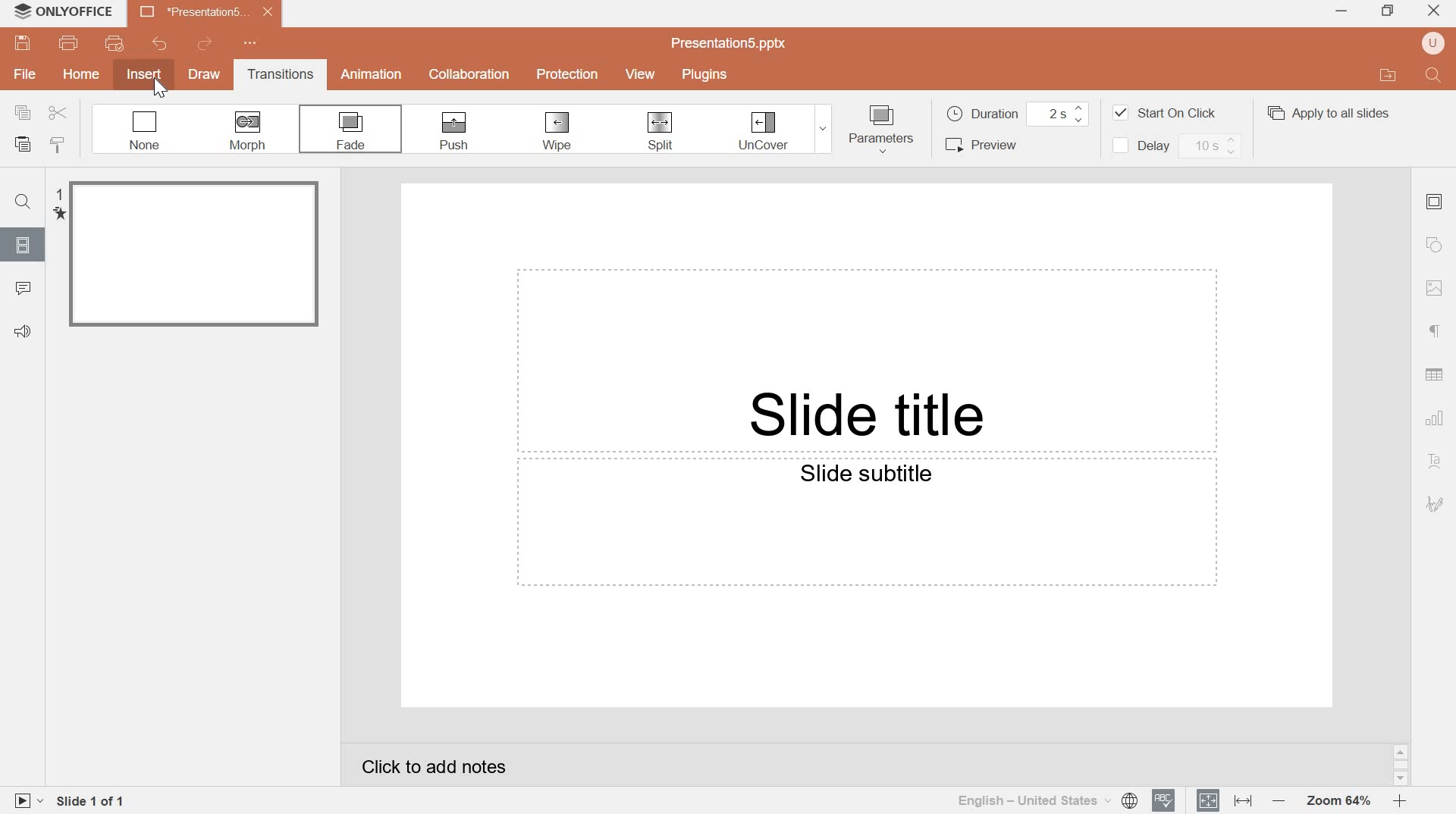 The width and height of the screenshot is (1456, 814). What do you see at coordinates (882, 130) in the screenshot?
I see `Parameters` at bounding box center [882, 130].